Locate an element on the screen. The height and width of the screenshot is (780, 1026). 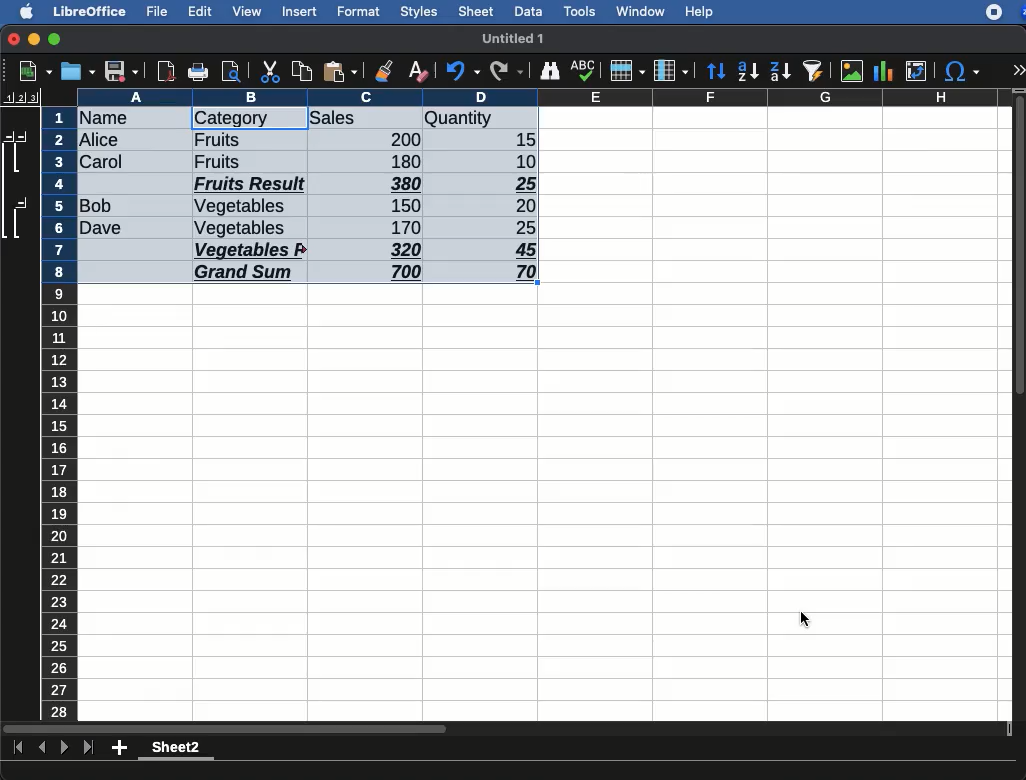
copy is located at coordinates (304, 71).